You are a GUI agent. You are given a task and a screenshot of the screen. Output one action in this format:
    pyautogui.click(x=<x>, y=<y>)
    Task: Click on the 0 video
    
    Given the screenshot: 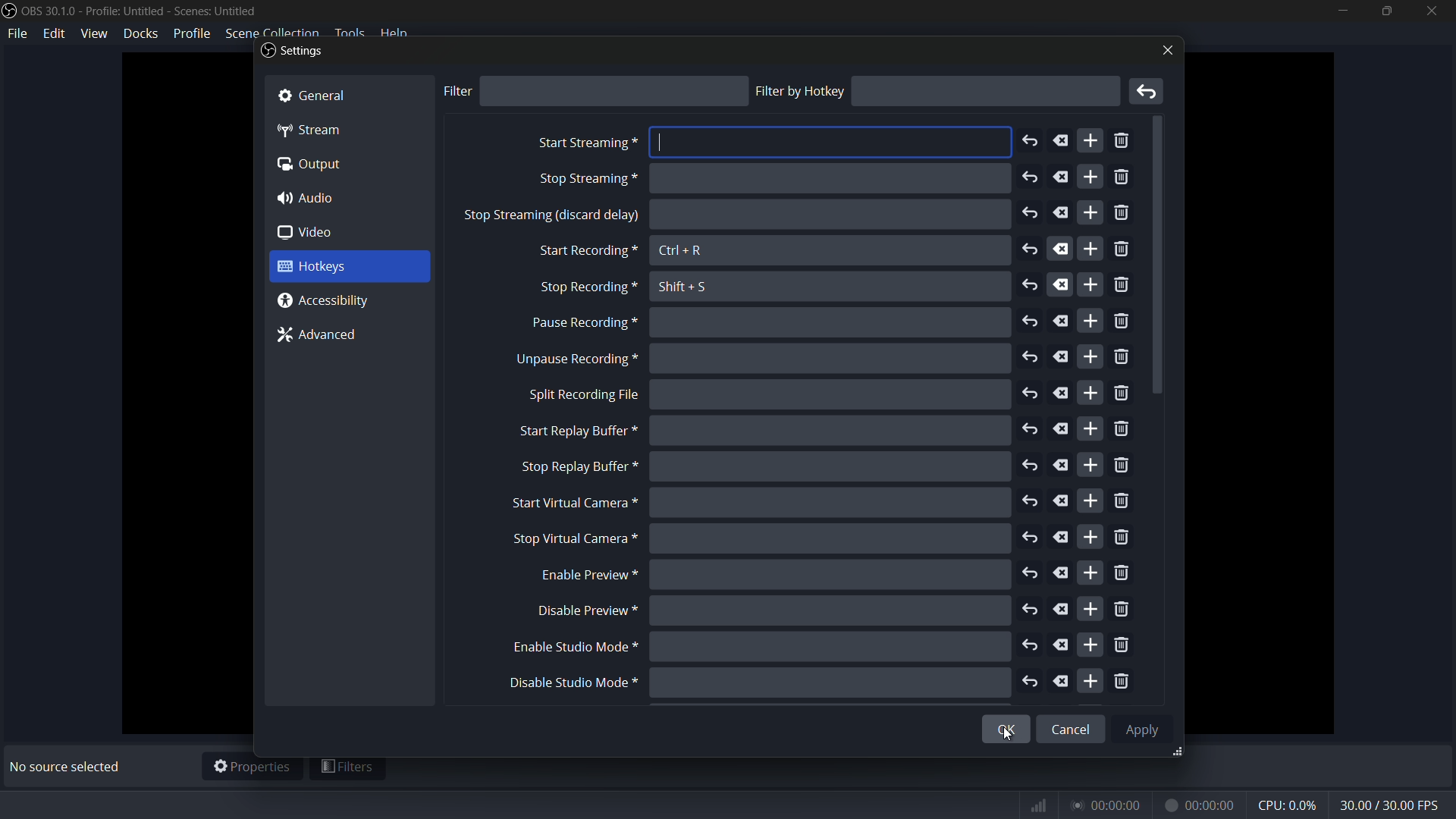 What is the action you would take?
    pyautogui.click(x=316, y=233)
    